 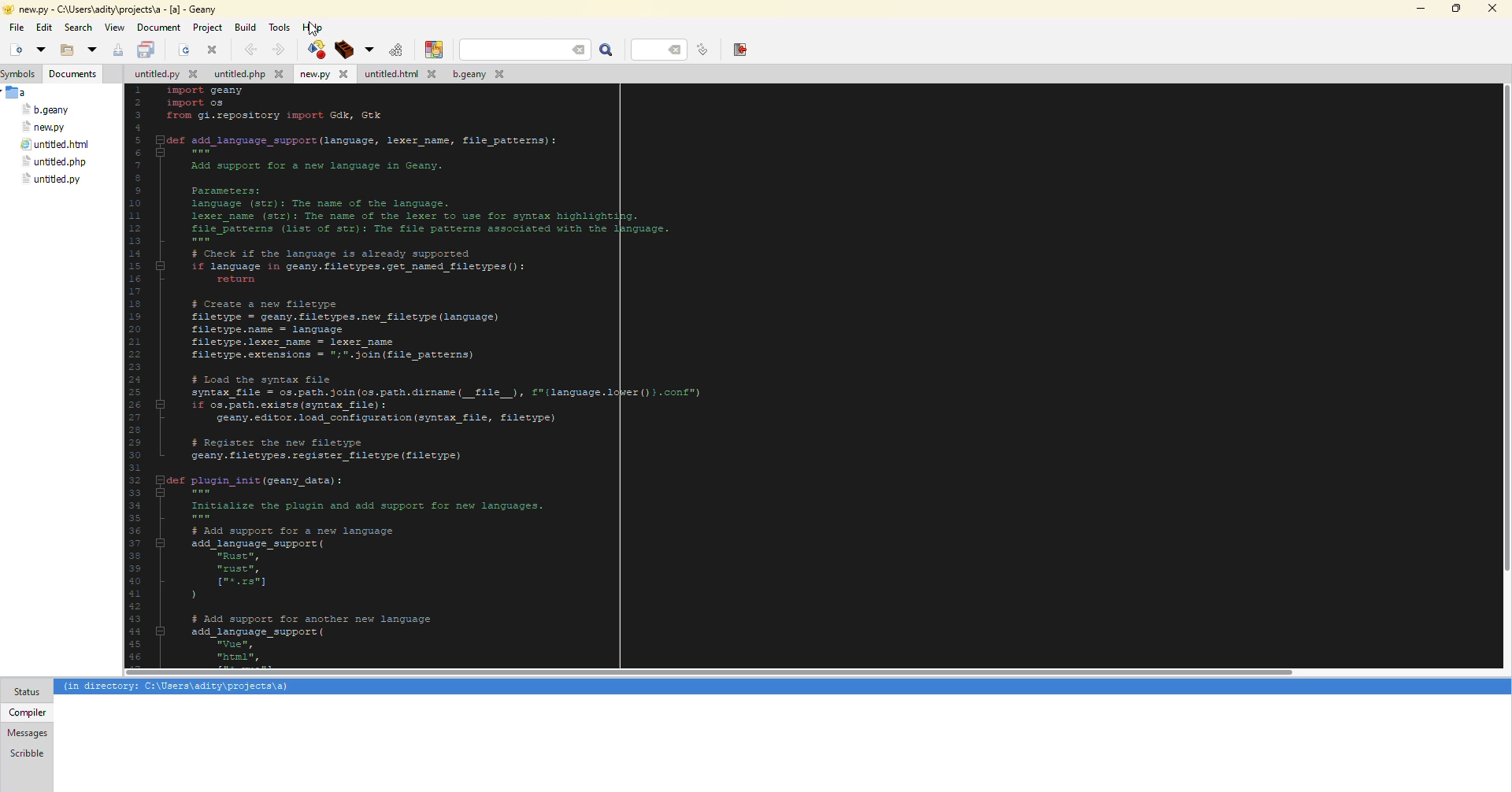 I want to click on scribble, so click(x=25, y=753).